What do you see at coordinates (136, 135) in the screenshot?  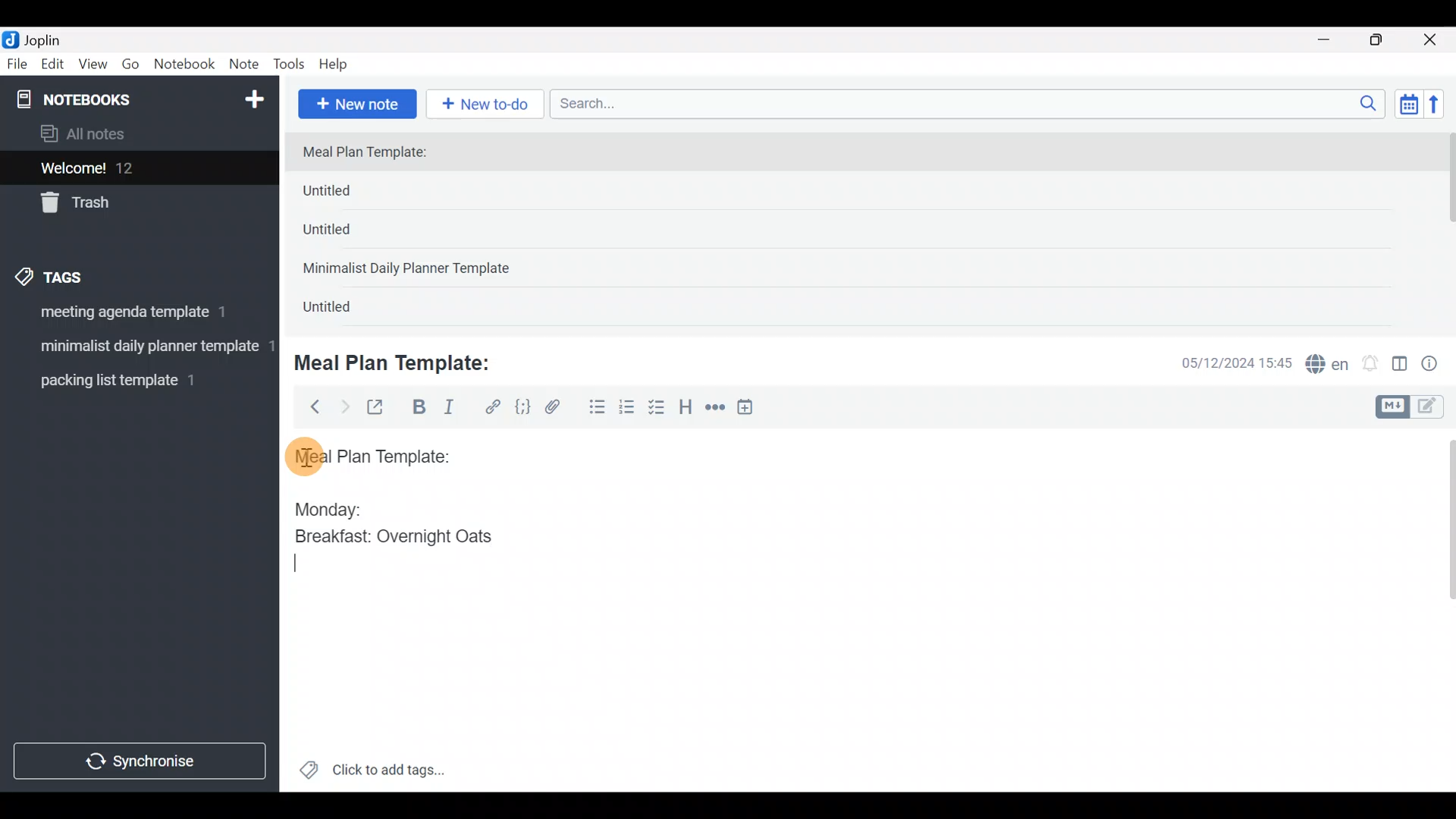 I see `All notes` at bounding box center [136, 135].